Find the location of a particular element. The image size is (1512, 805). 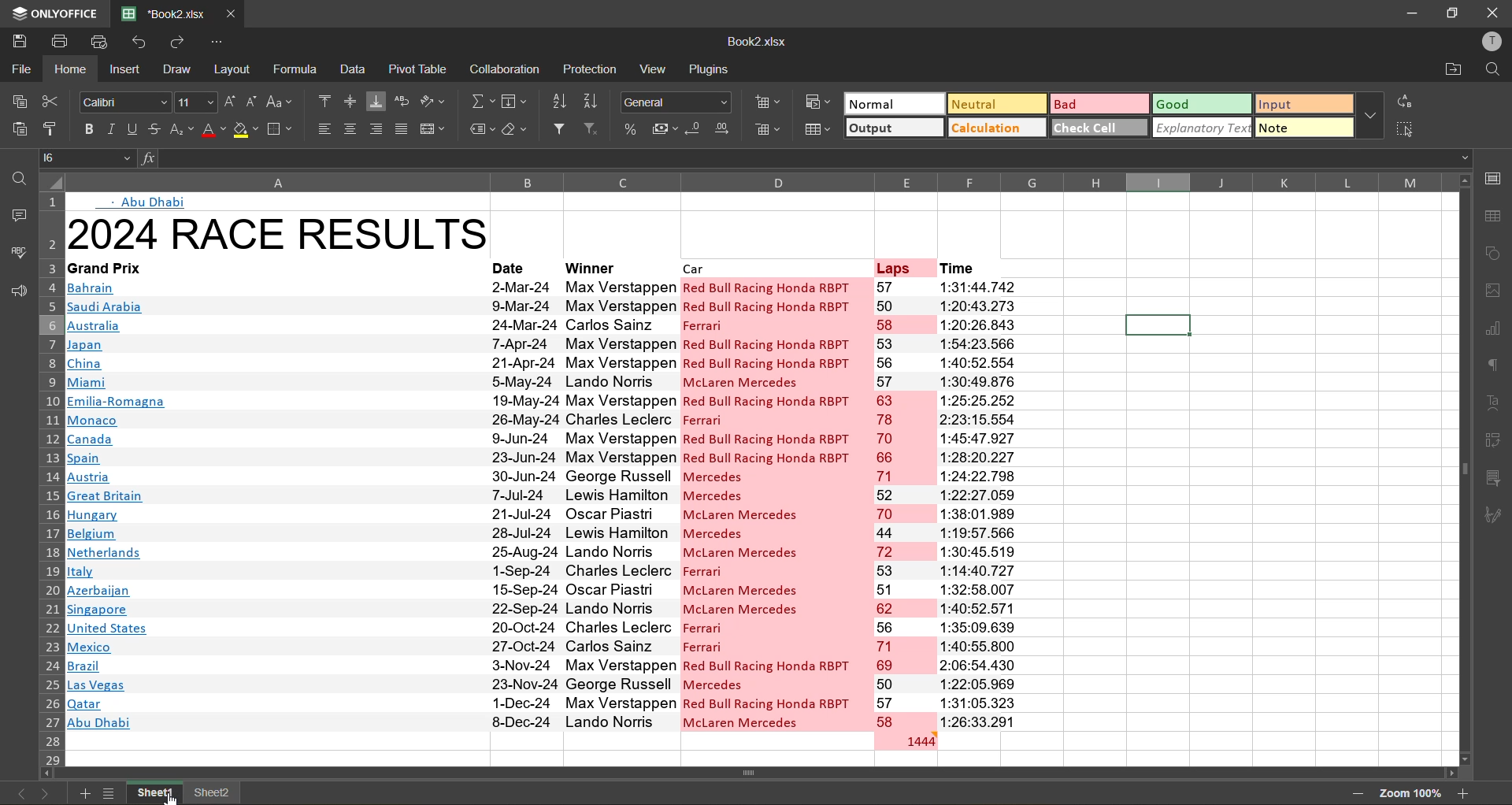

zoom out is located at coordinates (1357, 795).